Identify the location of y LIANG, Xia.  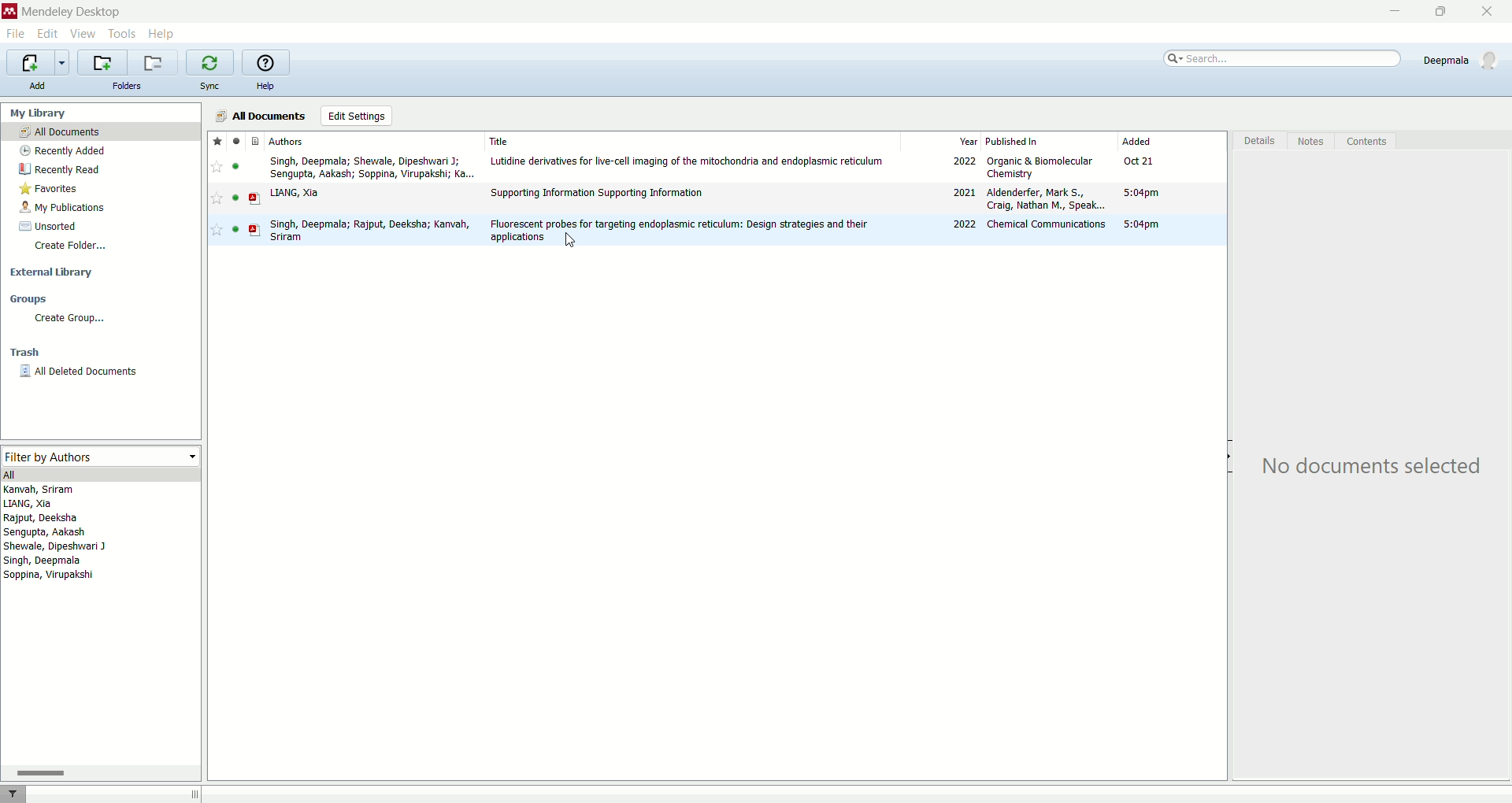
(306, 193).